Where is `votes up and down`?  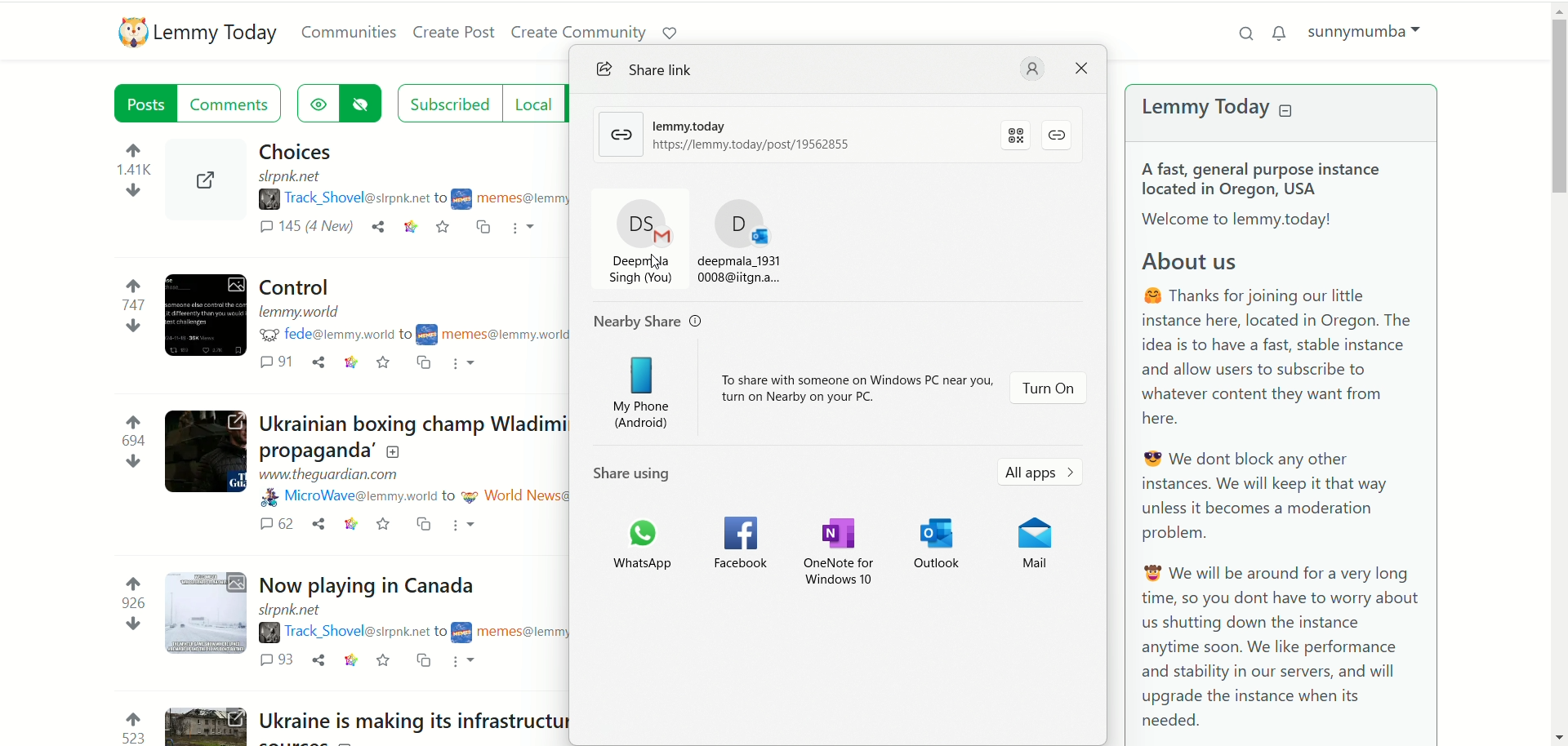
votes up and down is located at coordinates (130, 442).